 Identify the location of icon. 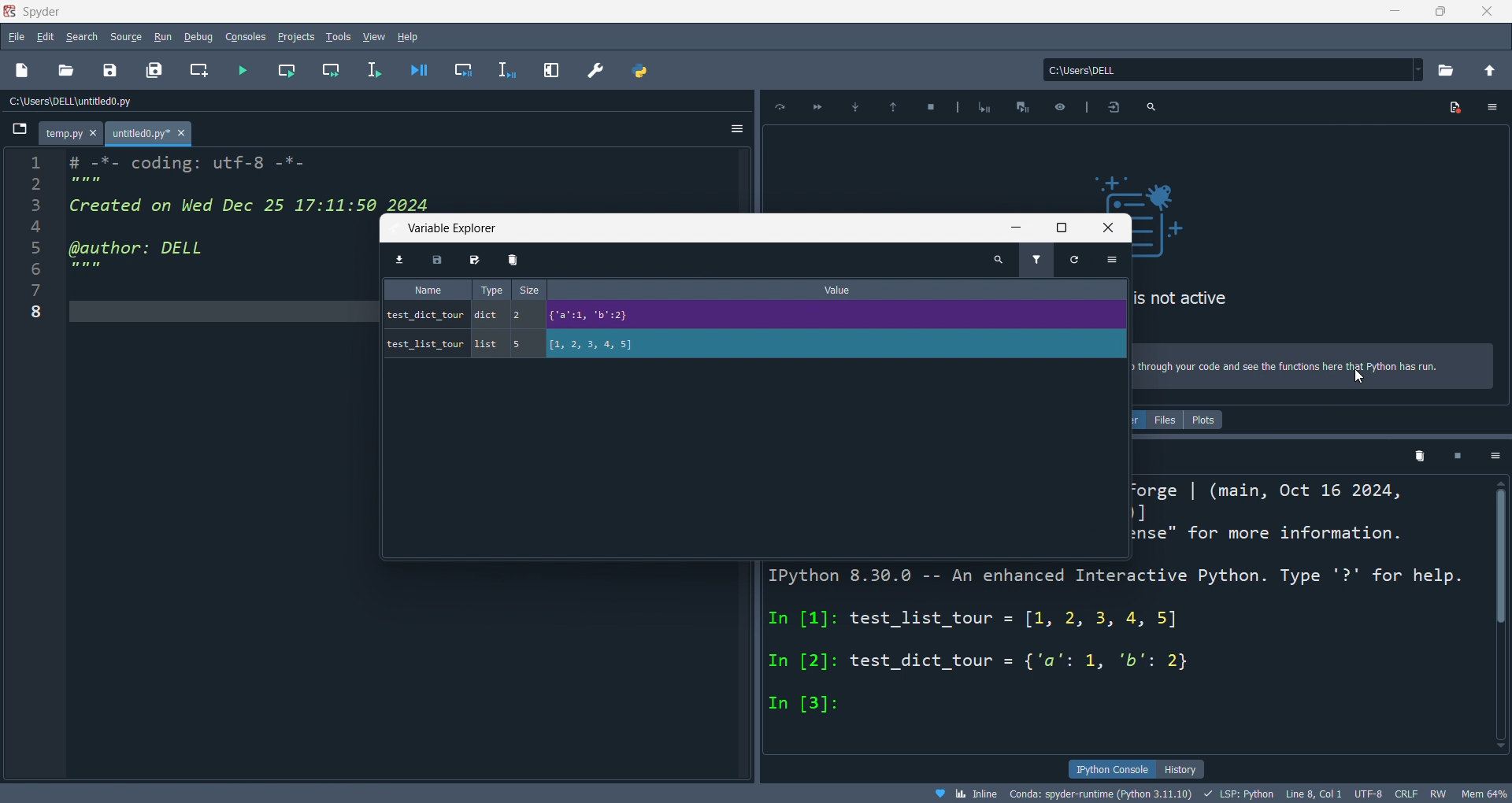
(894, 110).